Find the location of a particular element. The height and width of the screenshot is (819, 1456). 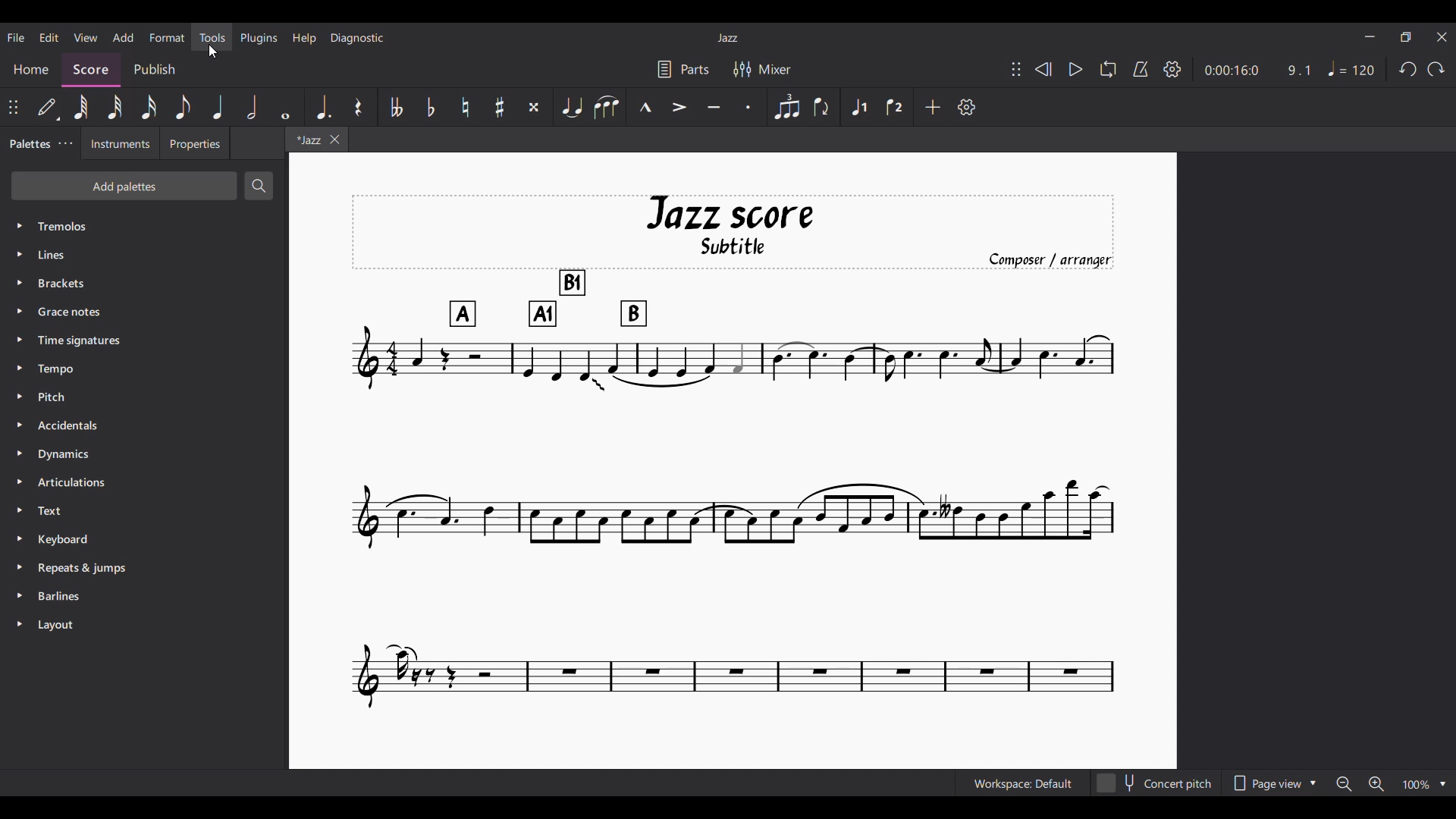

Close tab is located at coordinates (335, 140).